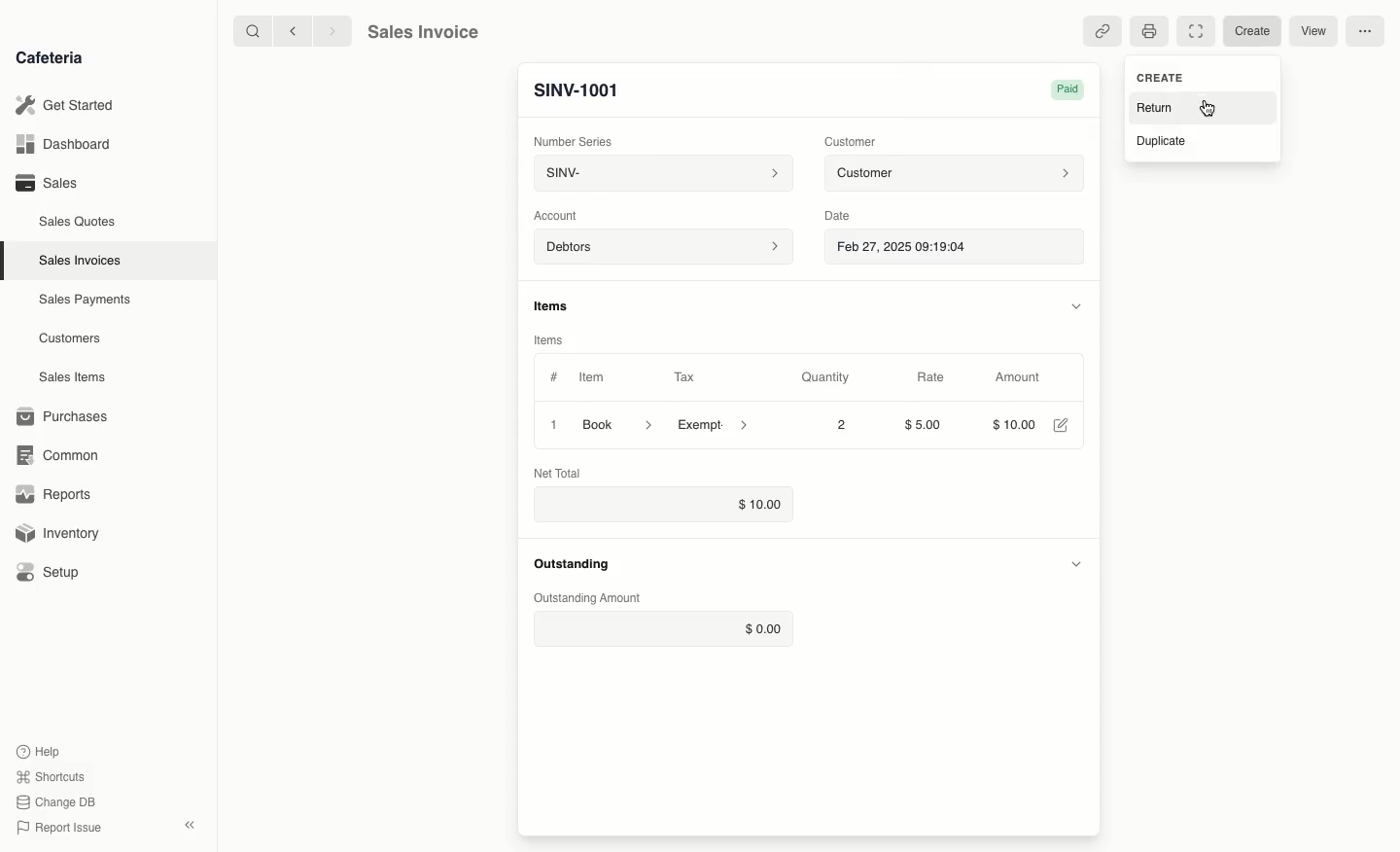 This screenshot has height=852, width=1400. Describe the element at coordinates (78, 224) in the screenshot. I see `Sales Quotes` at that location.